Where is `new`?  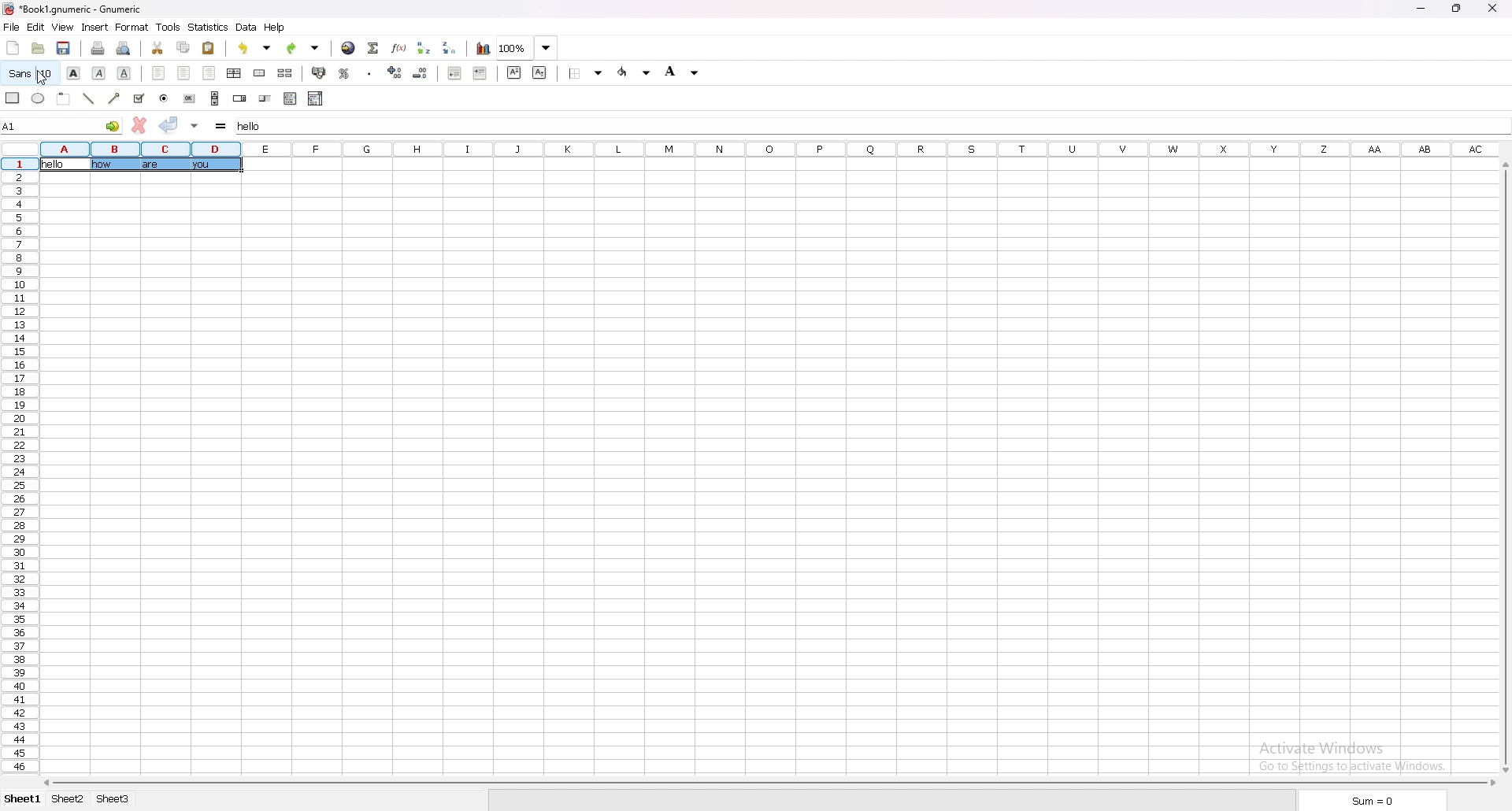
new is located at coordinates (12, 48).